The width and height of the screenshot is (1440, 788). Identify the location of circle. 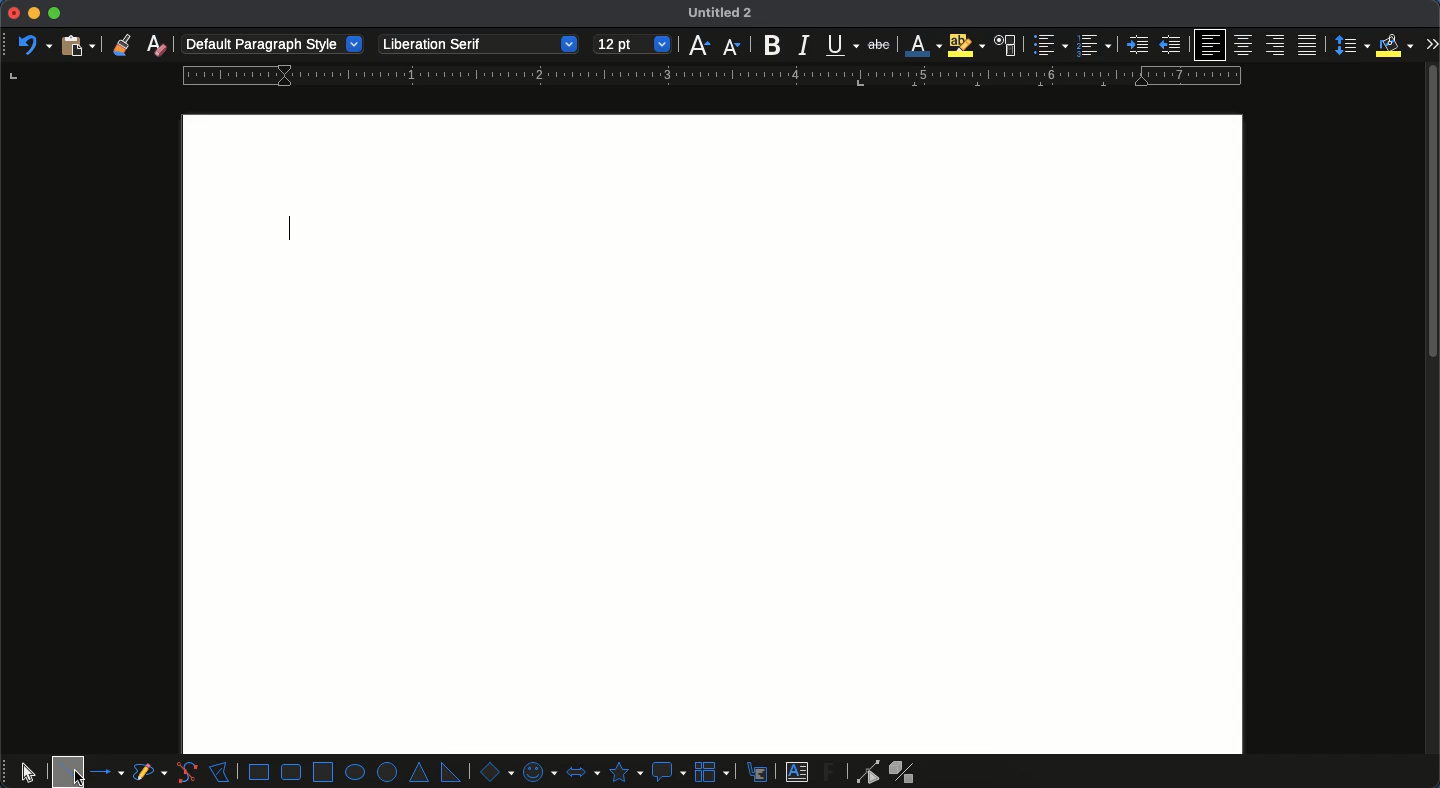
(389, 773).